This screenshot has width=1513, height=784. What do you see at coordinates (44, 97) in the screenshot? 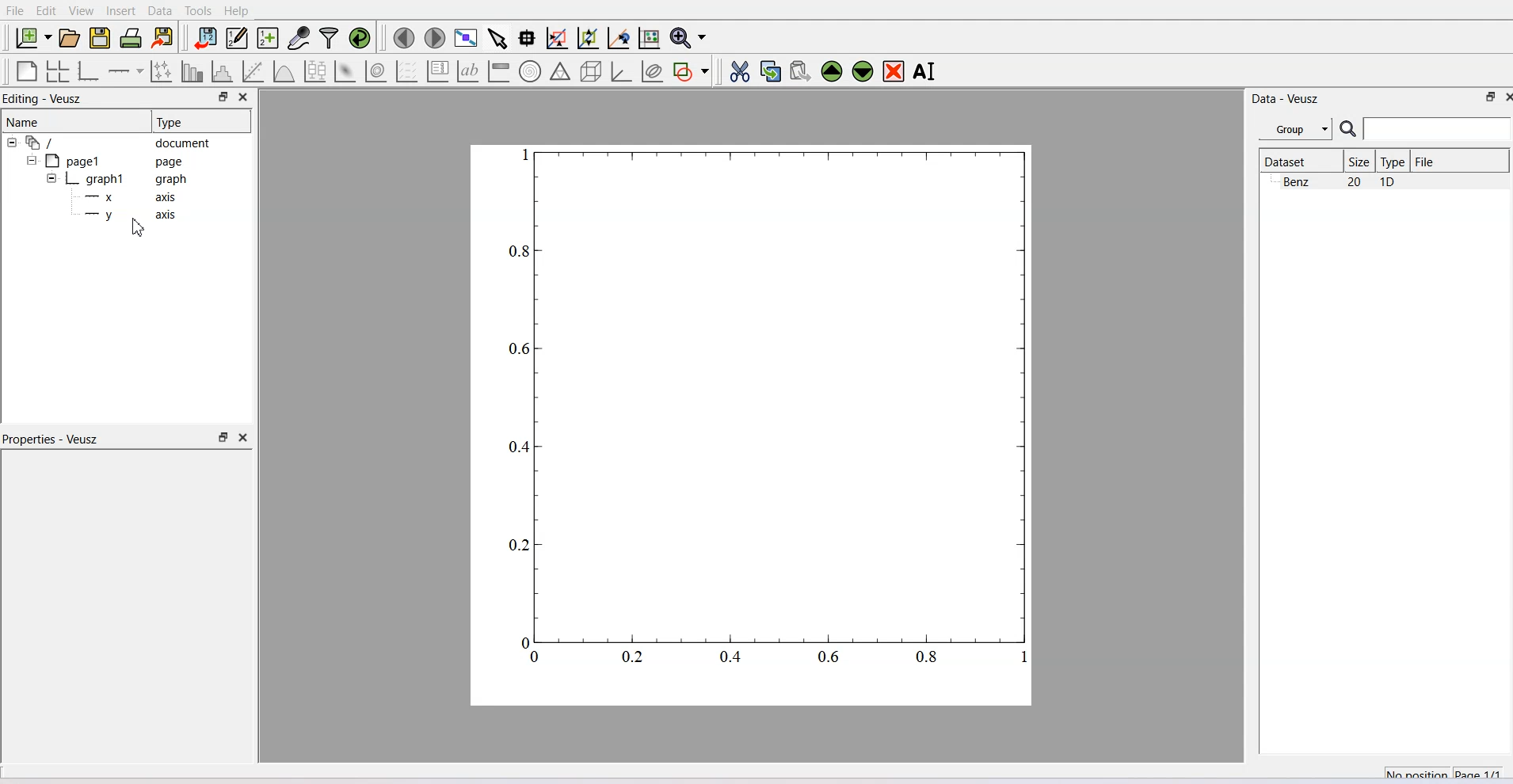
I see `Editing - Veusz` at bounding box center [44, 97].